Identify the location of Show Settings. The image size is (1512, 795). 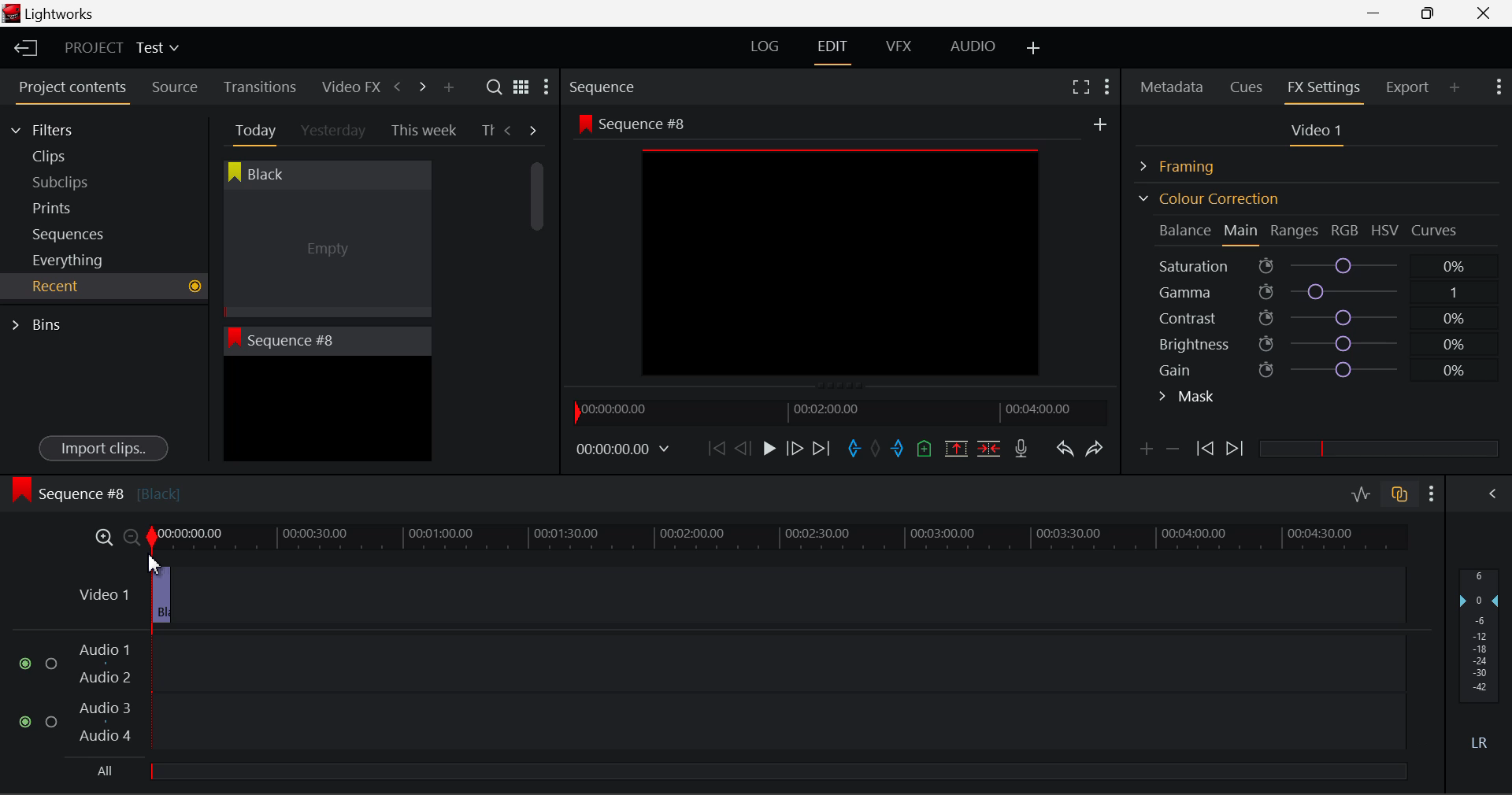
(1497, 85).